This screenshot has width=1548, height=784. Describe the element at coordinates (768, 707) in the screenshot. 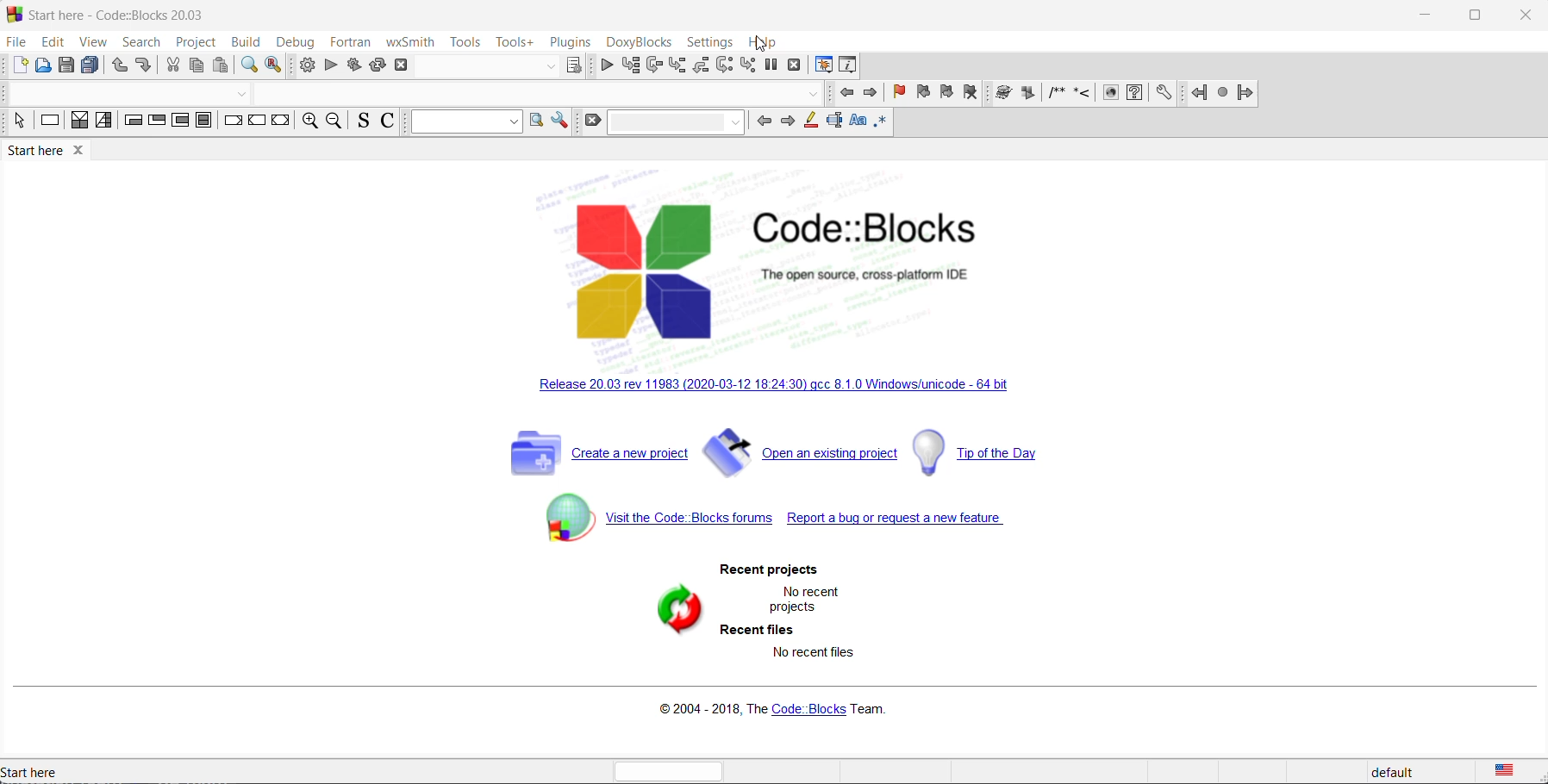

I see `copyright ` at that location.